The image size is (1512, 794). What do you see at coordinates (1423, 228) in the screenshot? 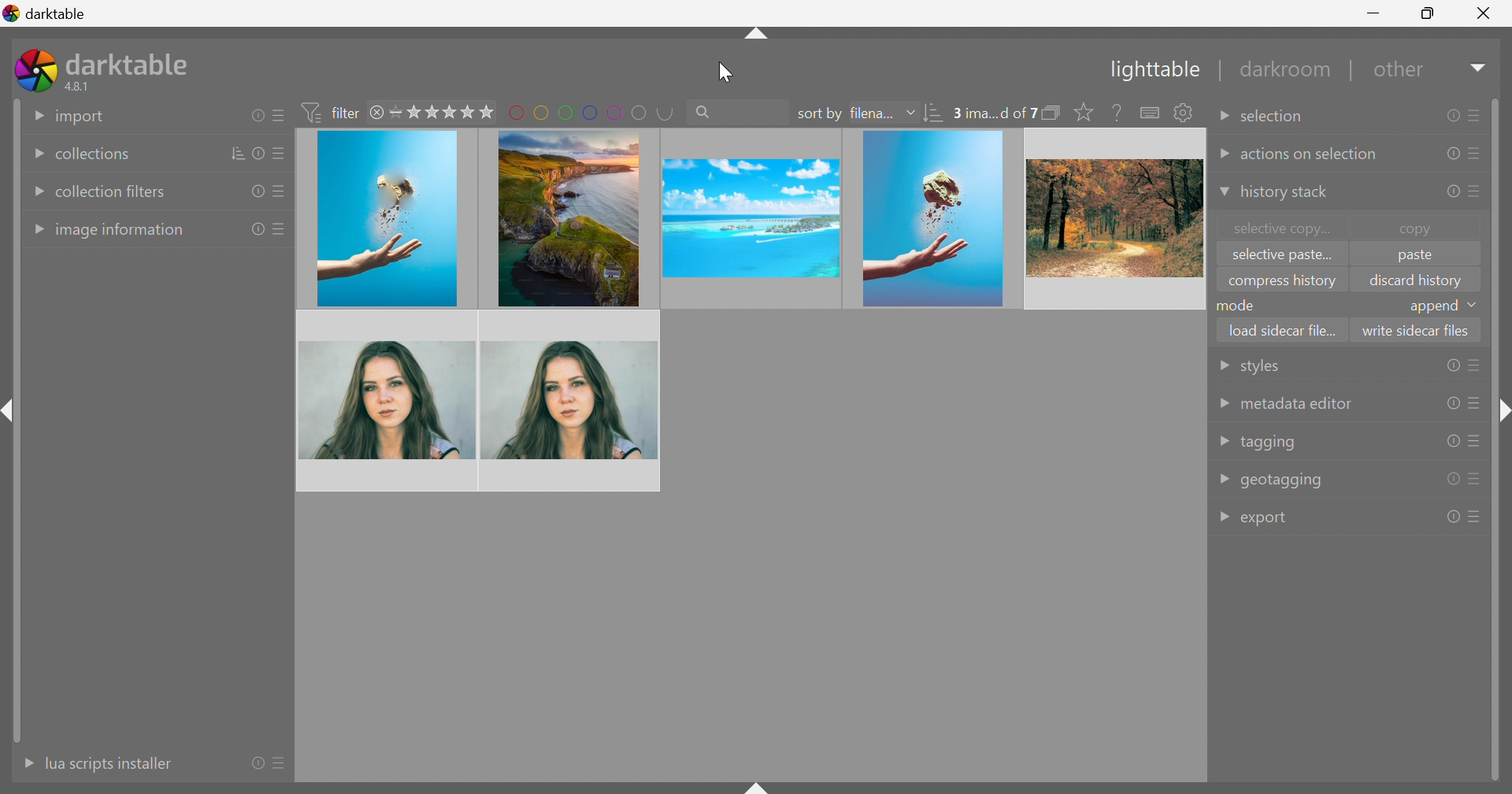
I see `copy` at bounding box center [1423, 228].